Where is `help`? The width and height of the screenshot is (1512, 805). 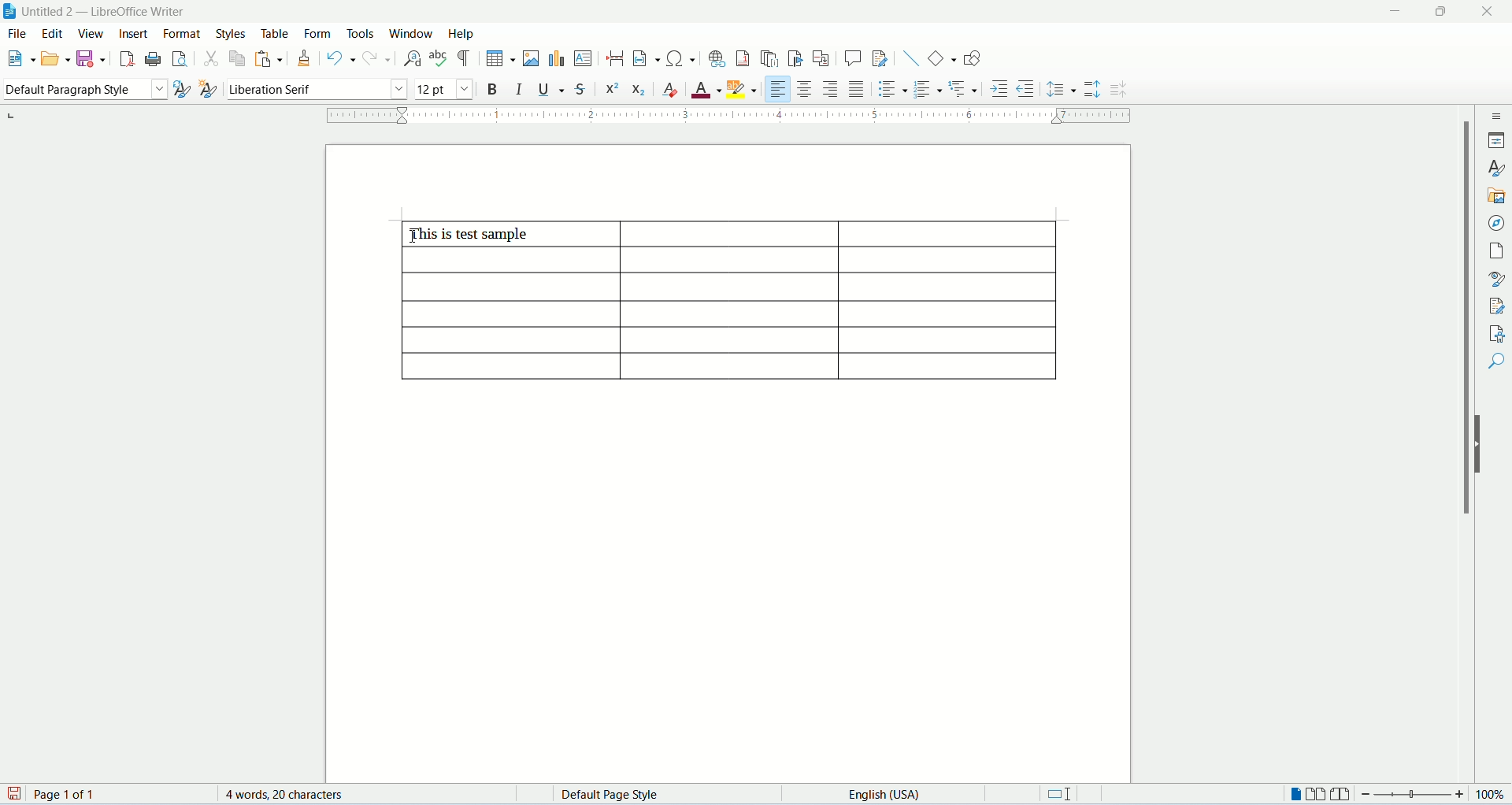 help is located at coordinates (461, 34).